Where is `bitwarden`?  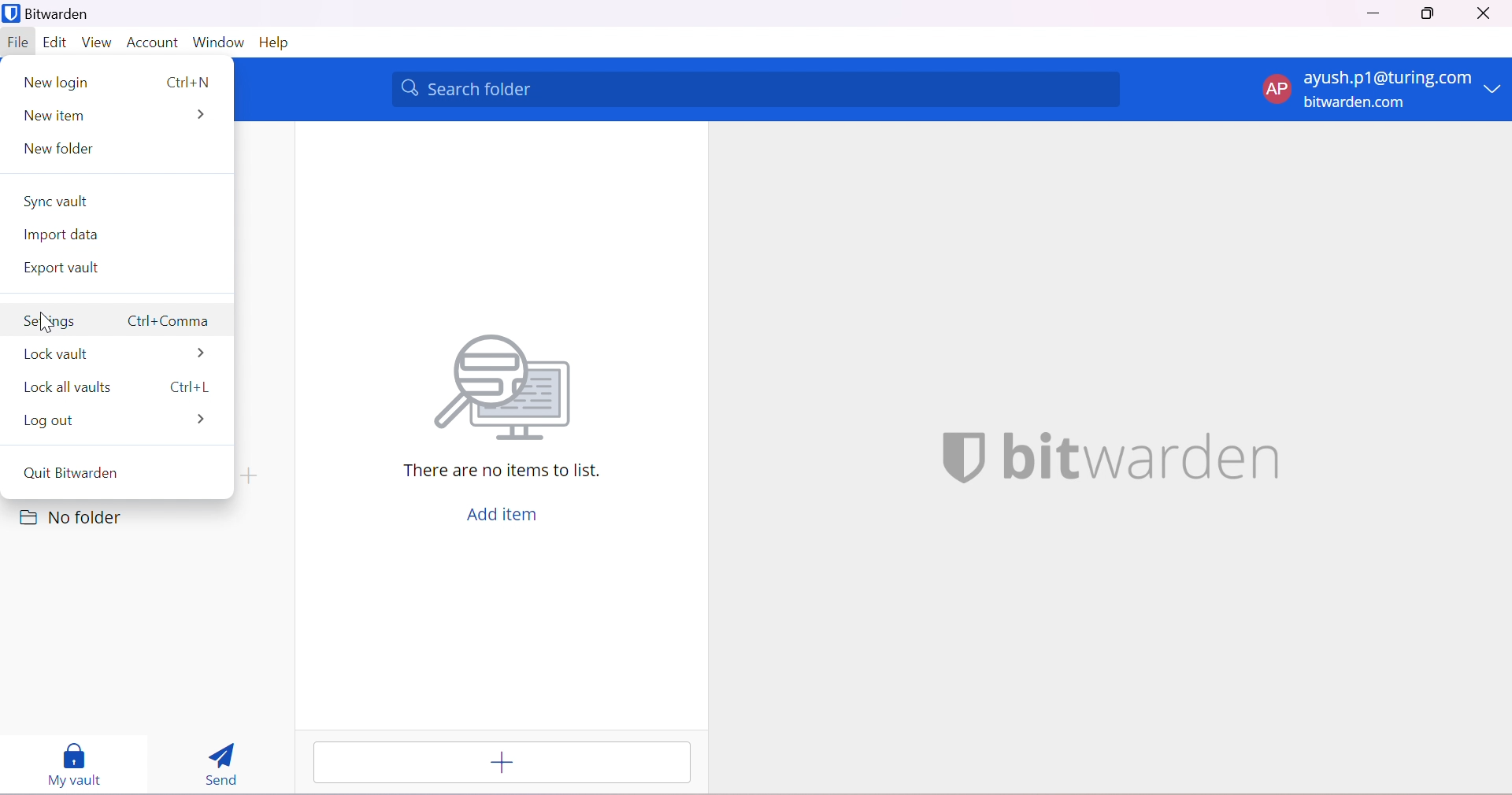
bitwarden is located at coordinates (1142, 457).